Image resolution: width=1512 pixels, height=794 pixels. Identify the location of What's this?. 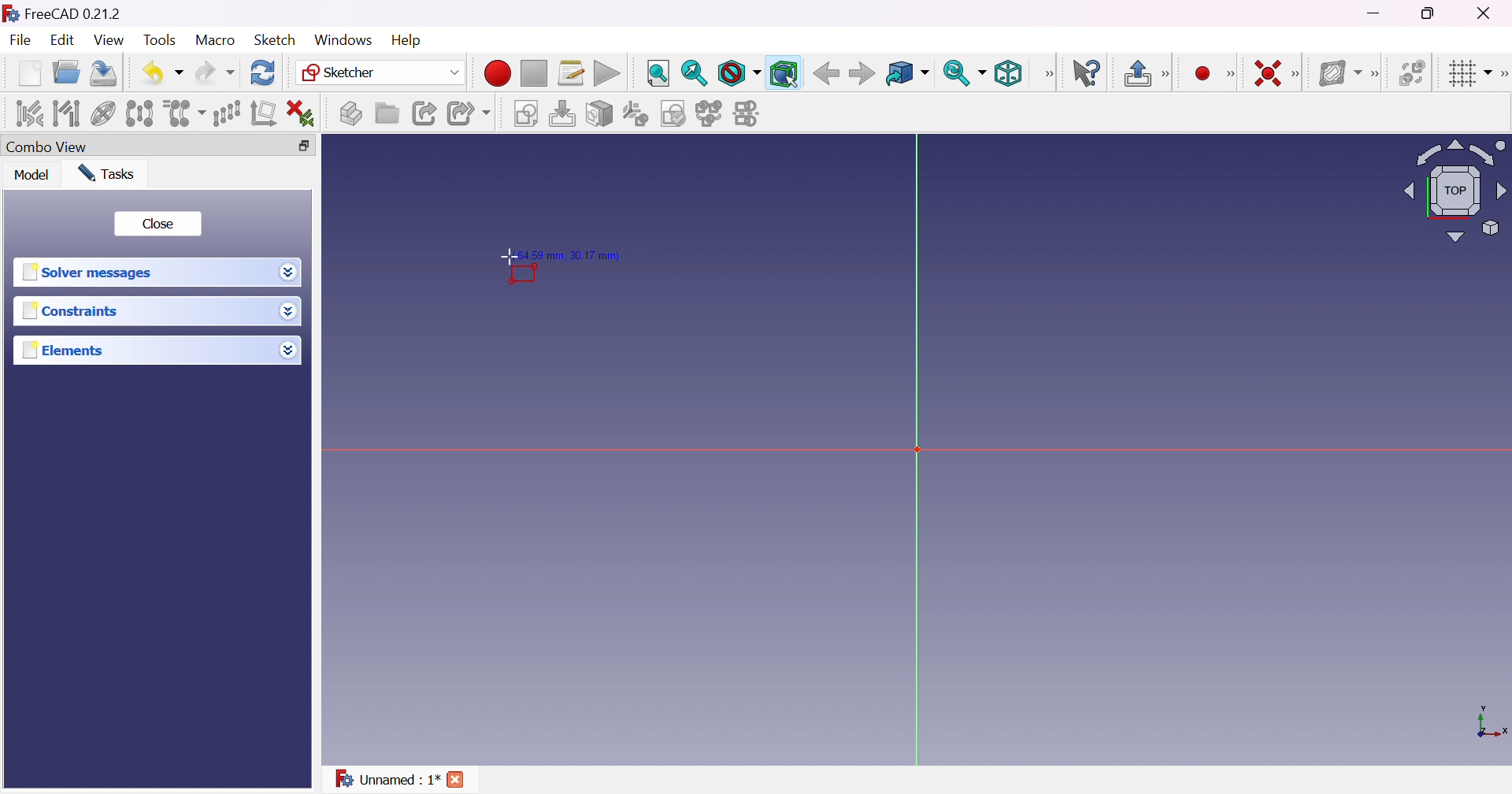
(1084, 74).